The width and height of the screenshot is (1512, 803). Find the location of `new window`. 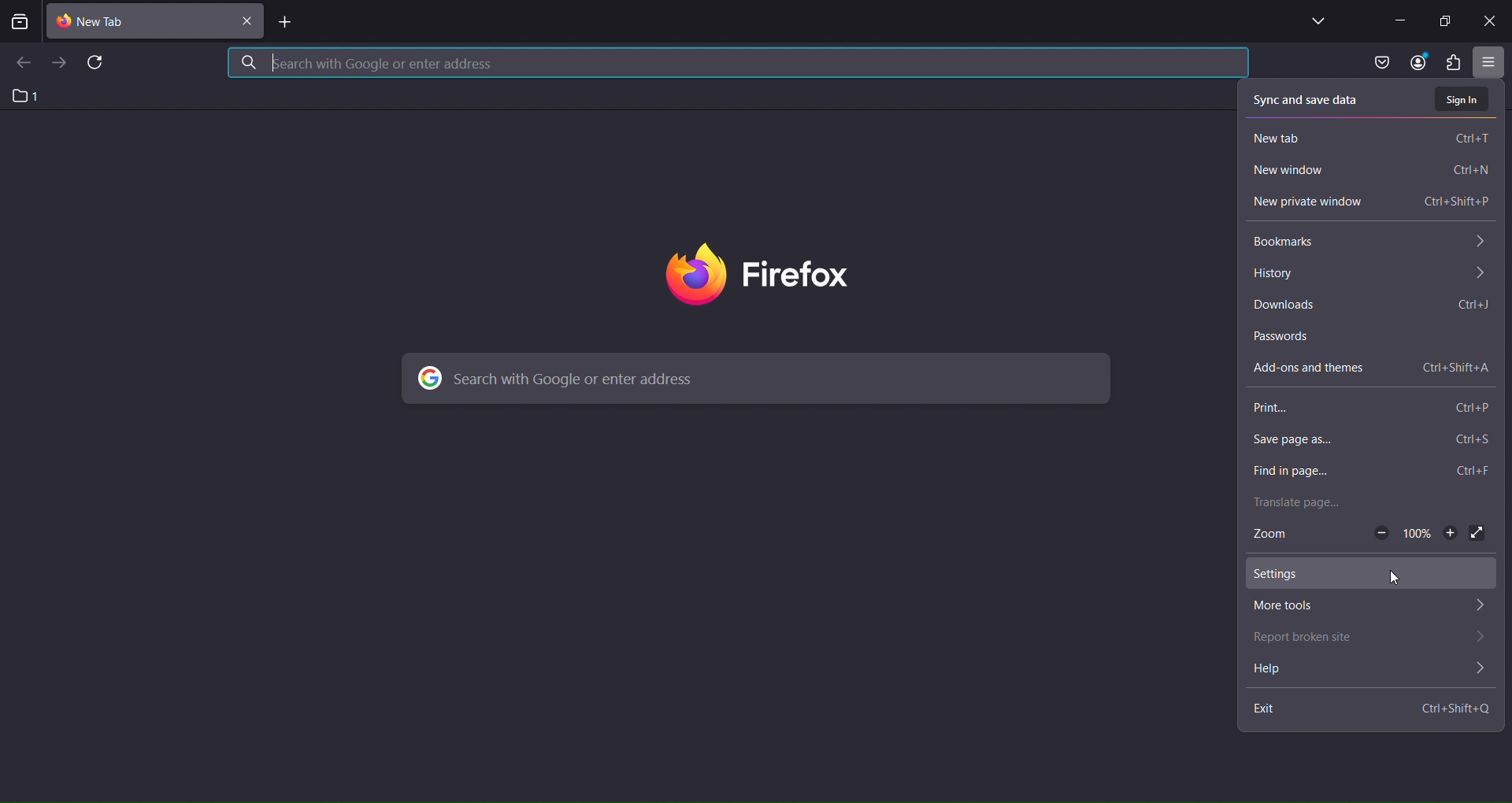

new window is located at coordinates (1368, 172).